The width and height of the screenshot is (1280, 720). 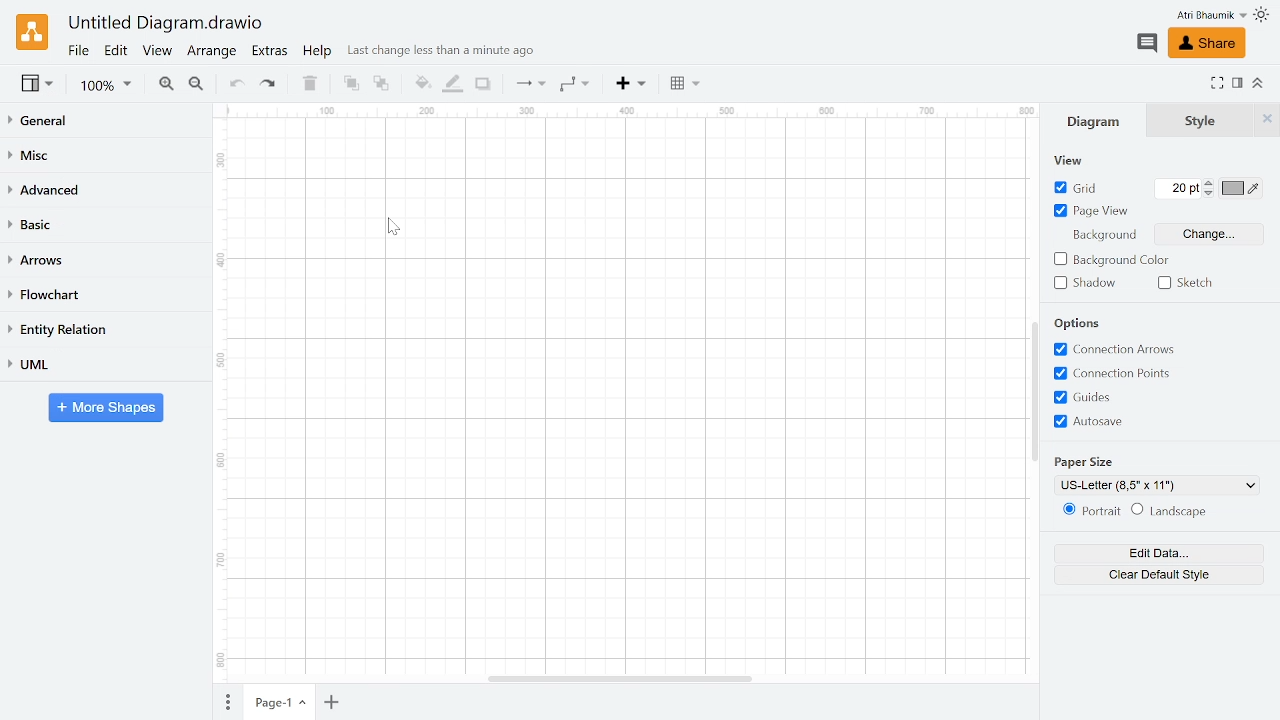 What do you see at coordinates (159, 51) in the screenshot?
I see `View` at bounding box center [159, 51].